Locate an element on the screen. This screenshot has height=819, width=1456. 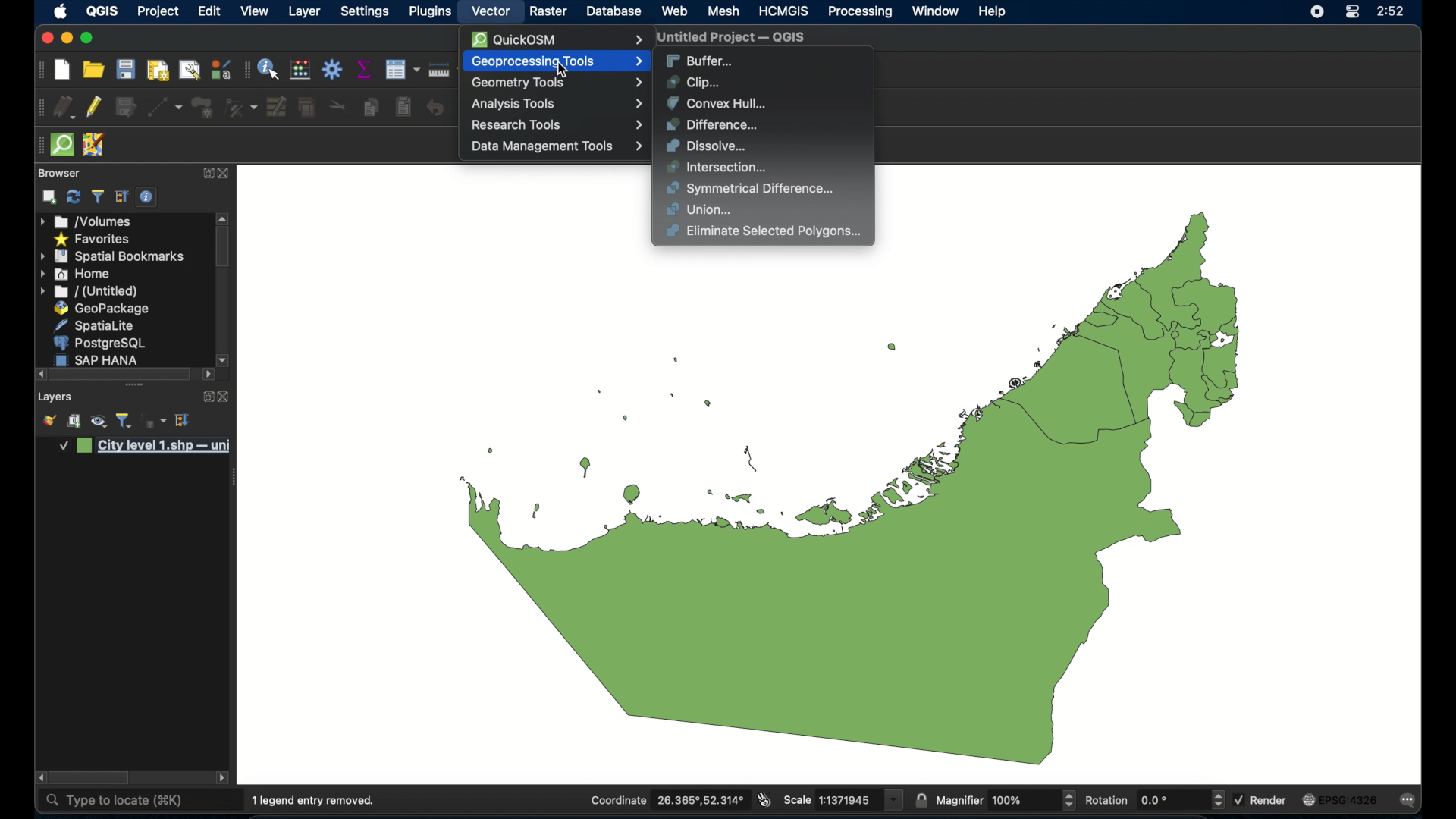
mesh is located at coordinates (723, 12).